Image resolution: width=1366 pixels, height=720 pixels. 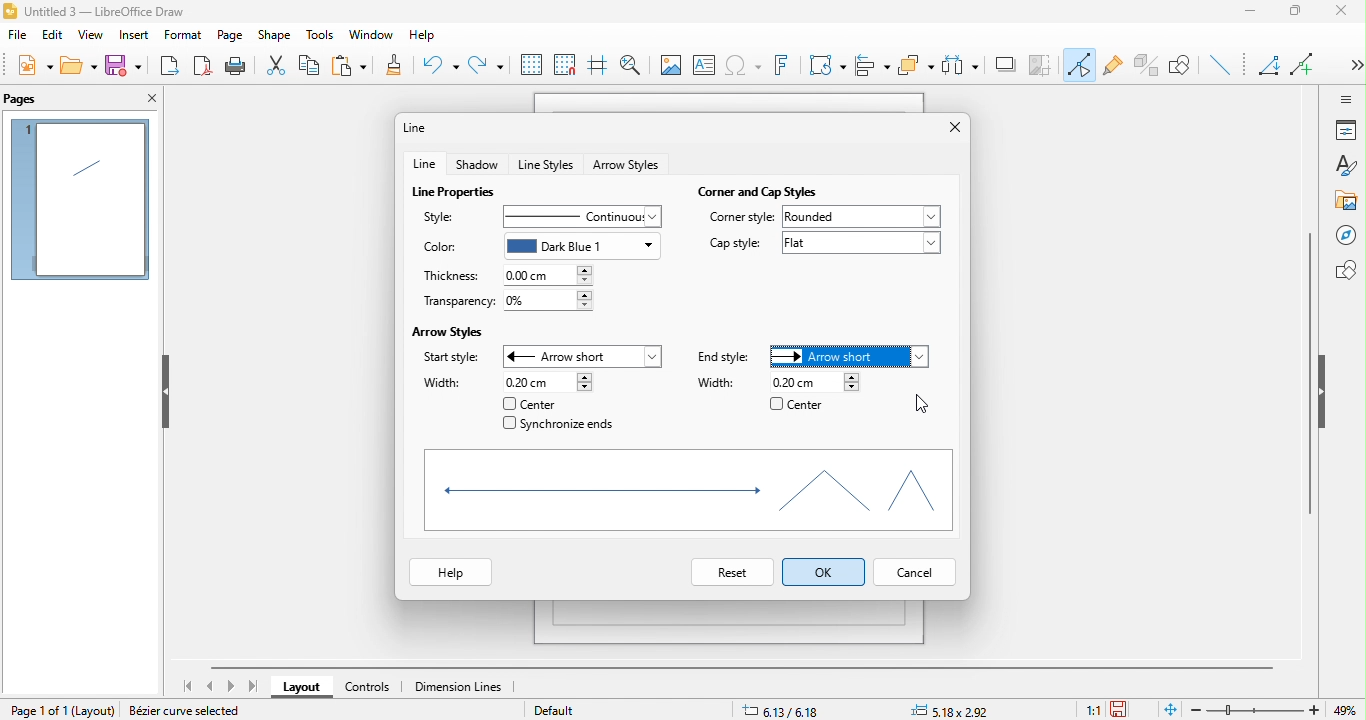 I want to click on cap style, so click(x=732, y=244).